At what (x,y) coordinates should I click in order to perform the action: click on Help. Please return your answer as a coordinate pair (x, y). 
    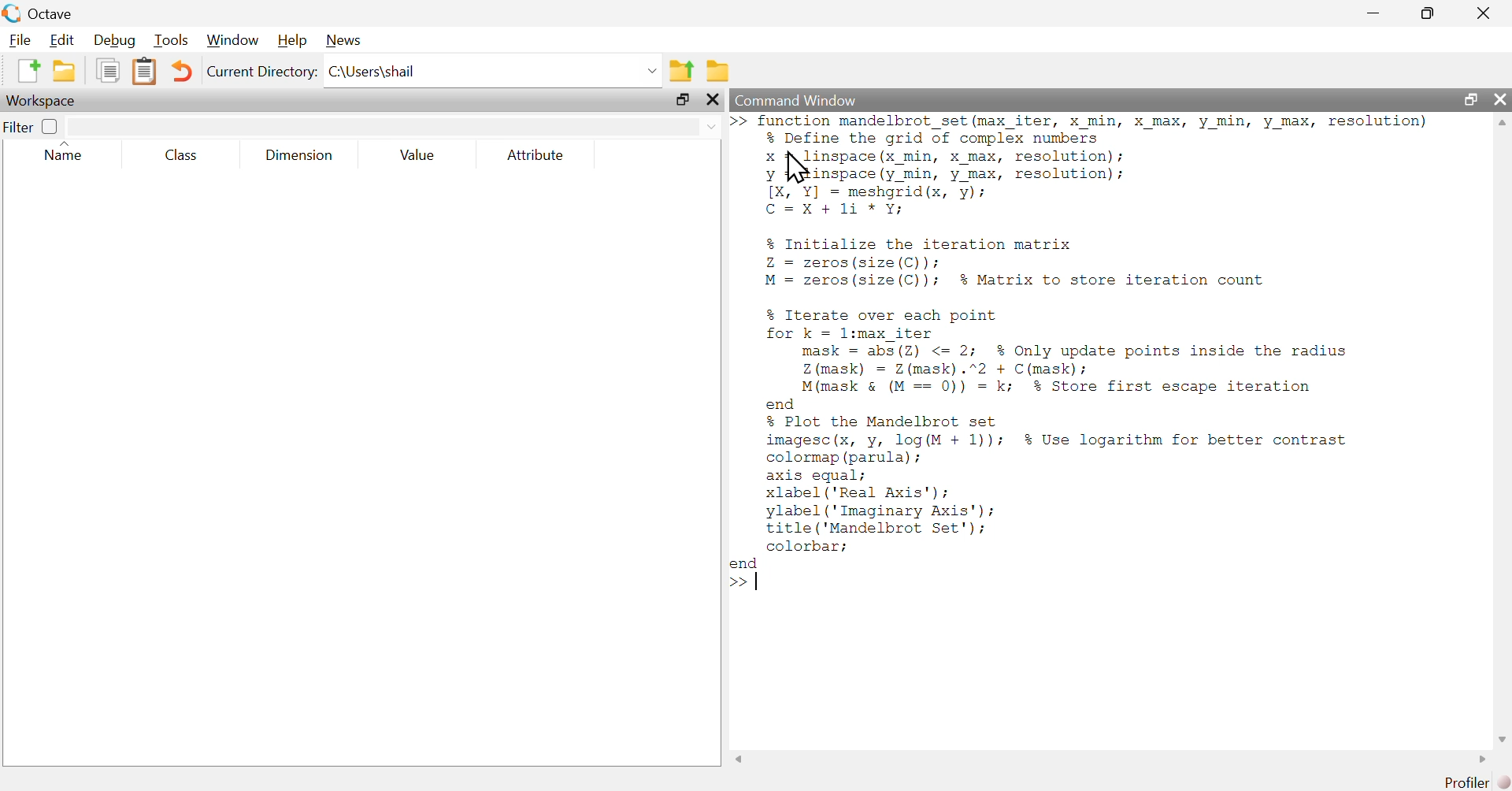
    Looking at the image, I should click on (290, 41).